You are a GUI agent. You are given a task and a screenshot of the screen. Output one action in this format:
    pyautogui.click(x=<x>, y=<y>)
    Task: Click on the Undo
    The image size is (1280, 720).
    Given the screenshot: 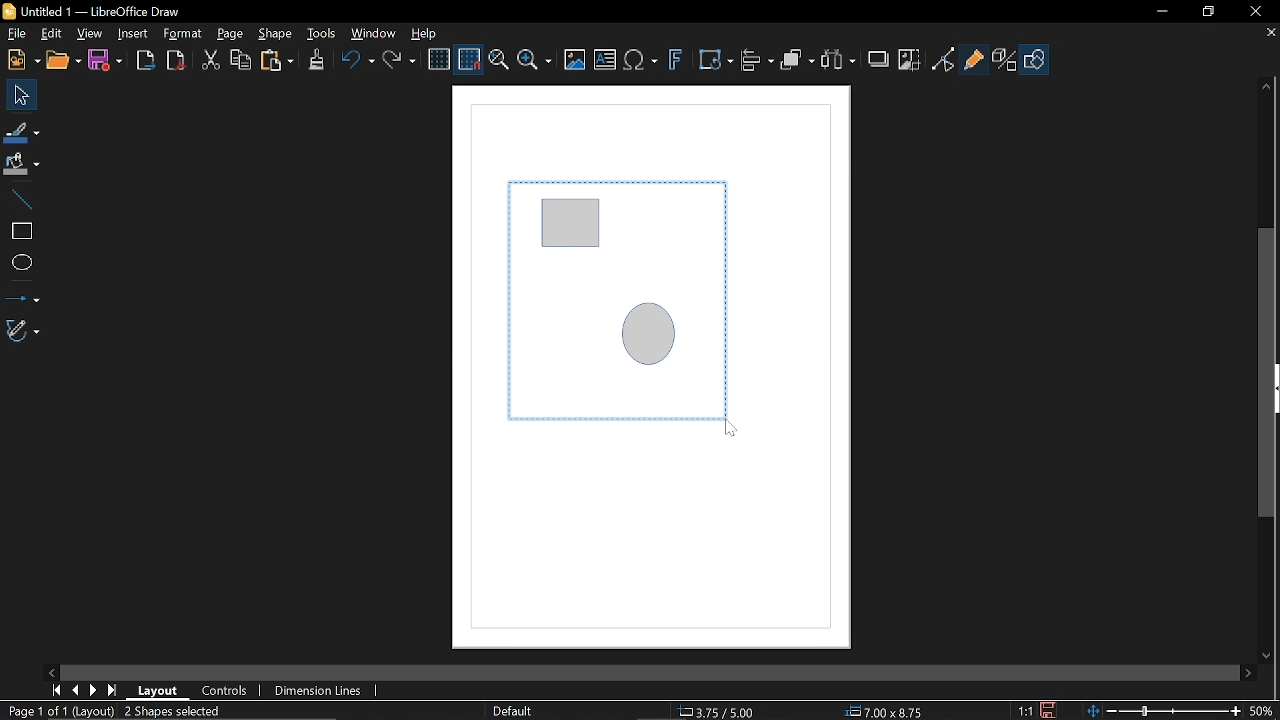 What is the action you would take?
    pyautogui.click(x=358, y=61)
    